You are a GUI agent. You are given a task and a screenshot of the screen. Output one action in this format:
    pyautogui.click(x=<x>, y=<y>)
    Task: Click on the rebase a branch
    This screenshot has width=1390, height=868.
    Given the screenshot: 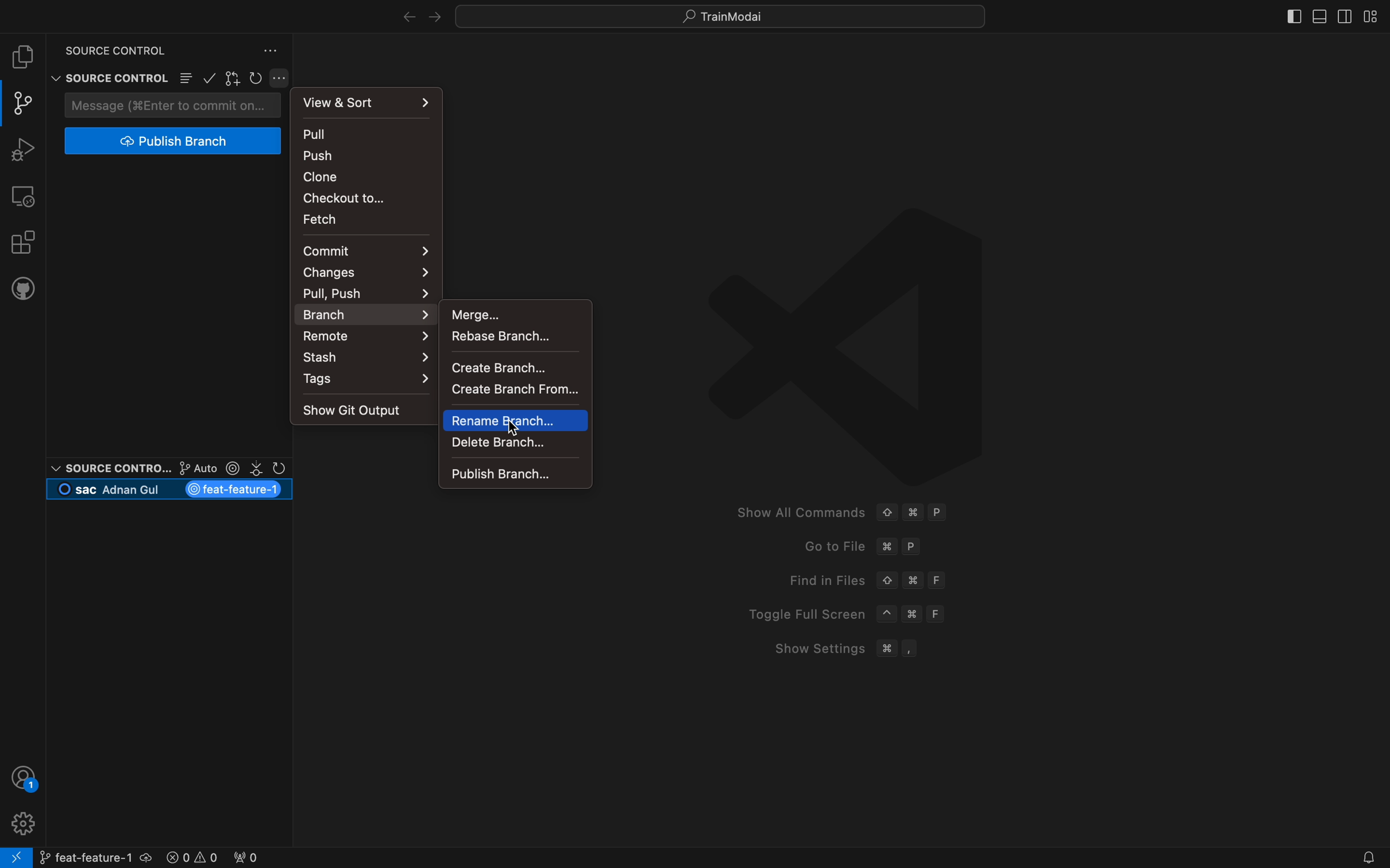 What is the action you would take?
    pyautogui.click(x=519, y=337)
    